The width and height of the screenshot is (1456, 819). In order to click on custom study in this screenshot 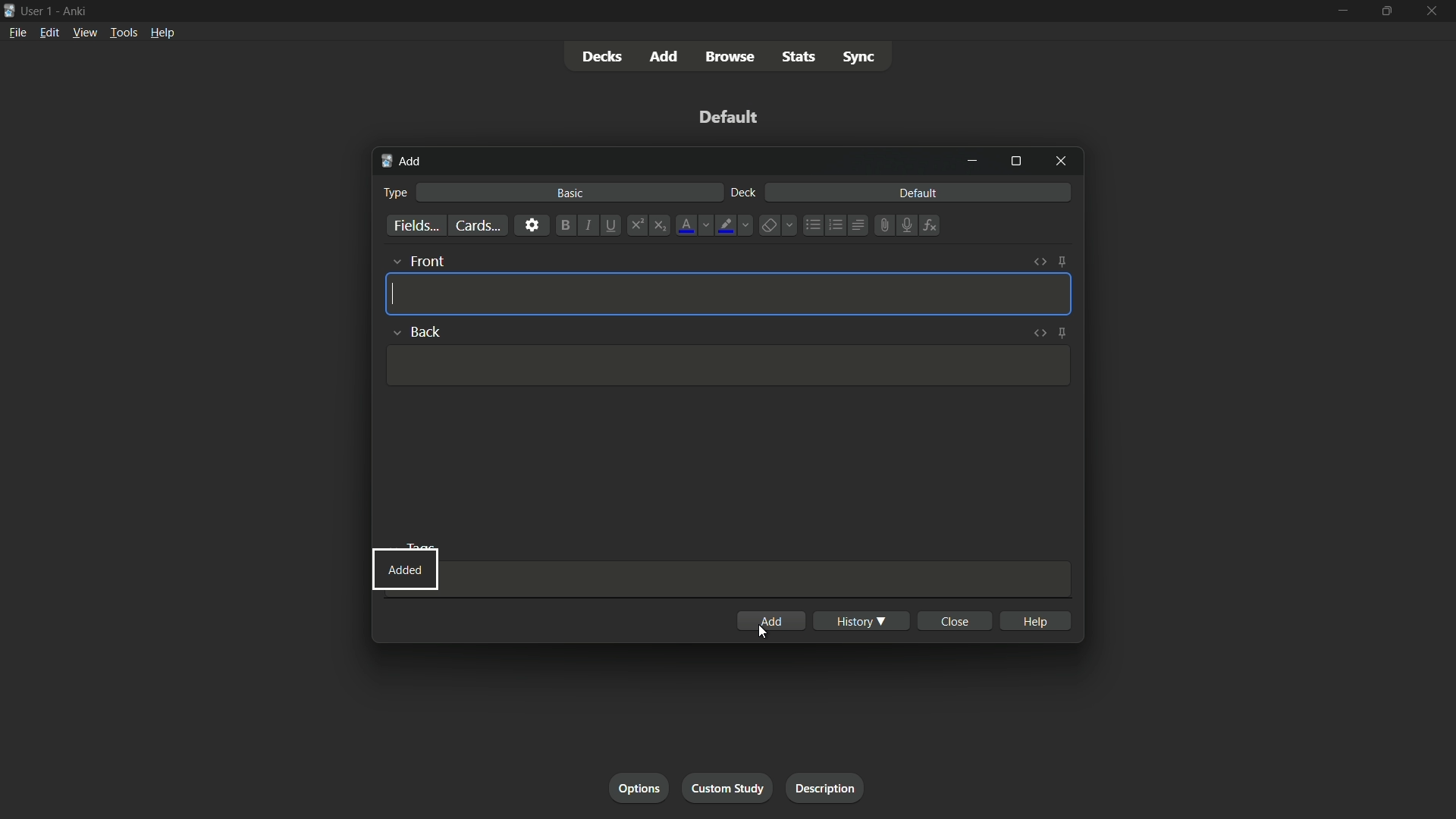, I will do `click(730, 787)`.